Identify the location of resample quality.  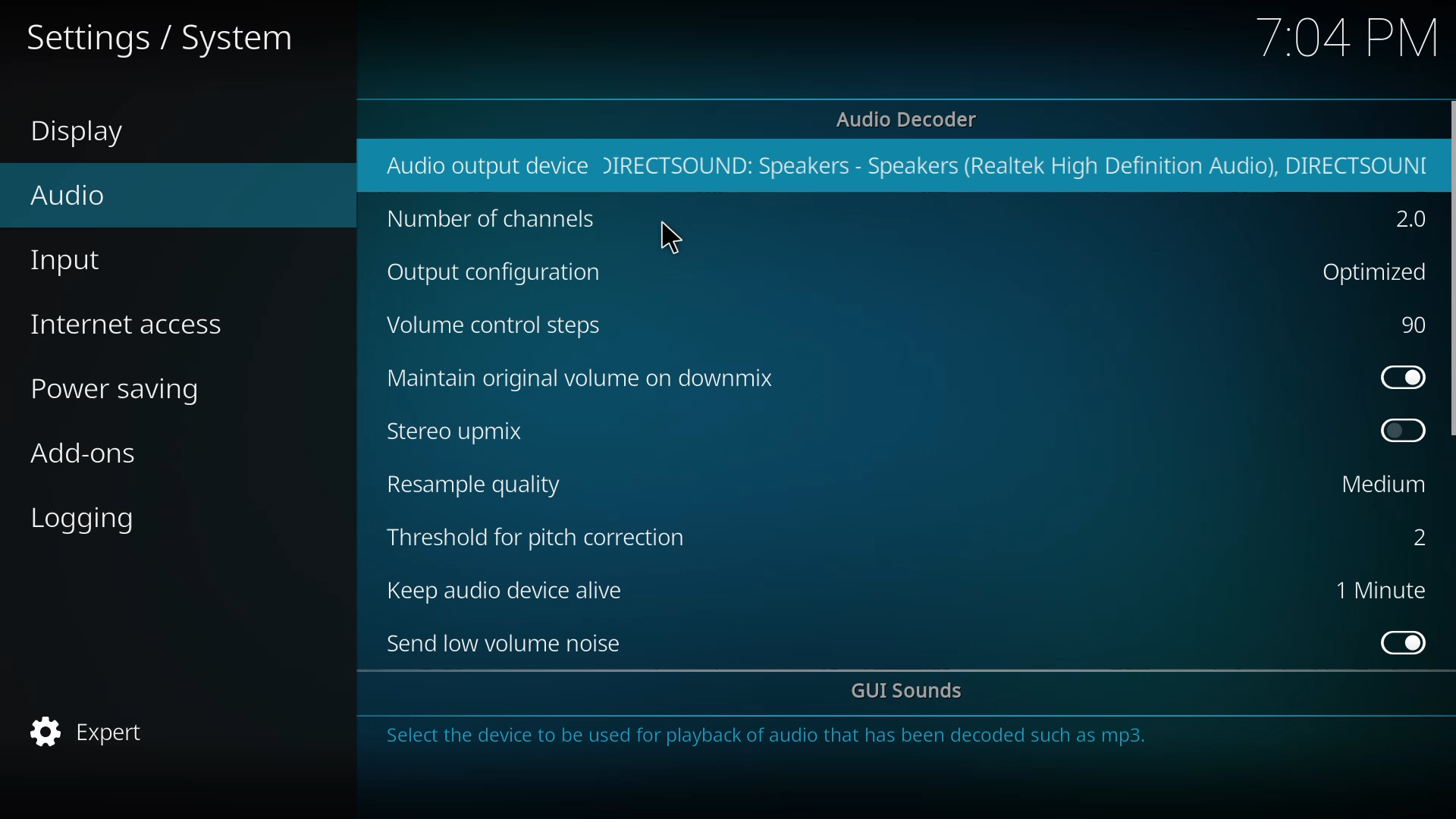
(479, 485).